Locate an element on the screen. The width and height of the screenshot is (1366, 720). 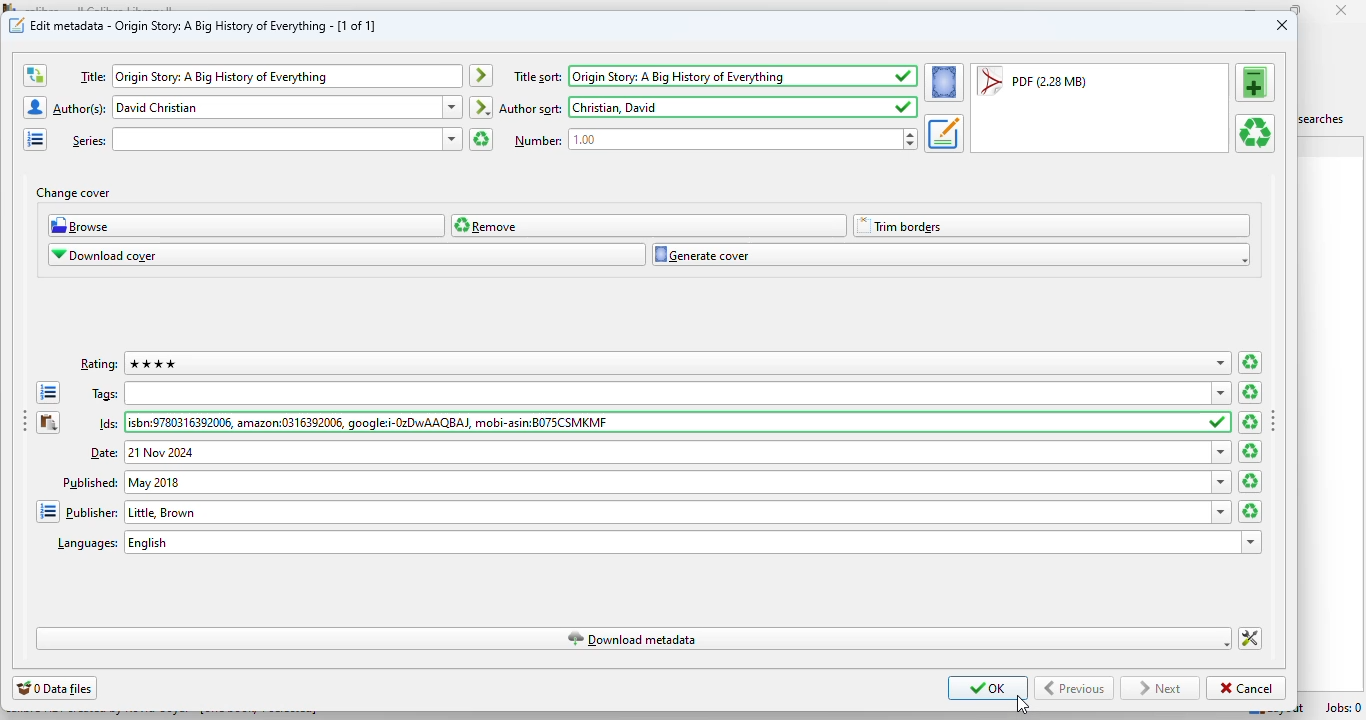
PDF (2.28 MB) is located at coordinates (1032, 80).